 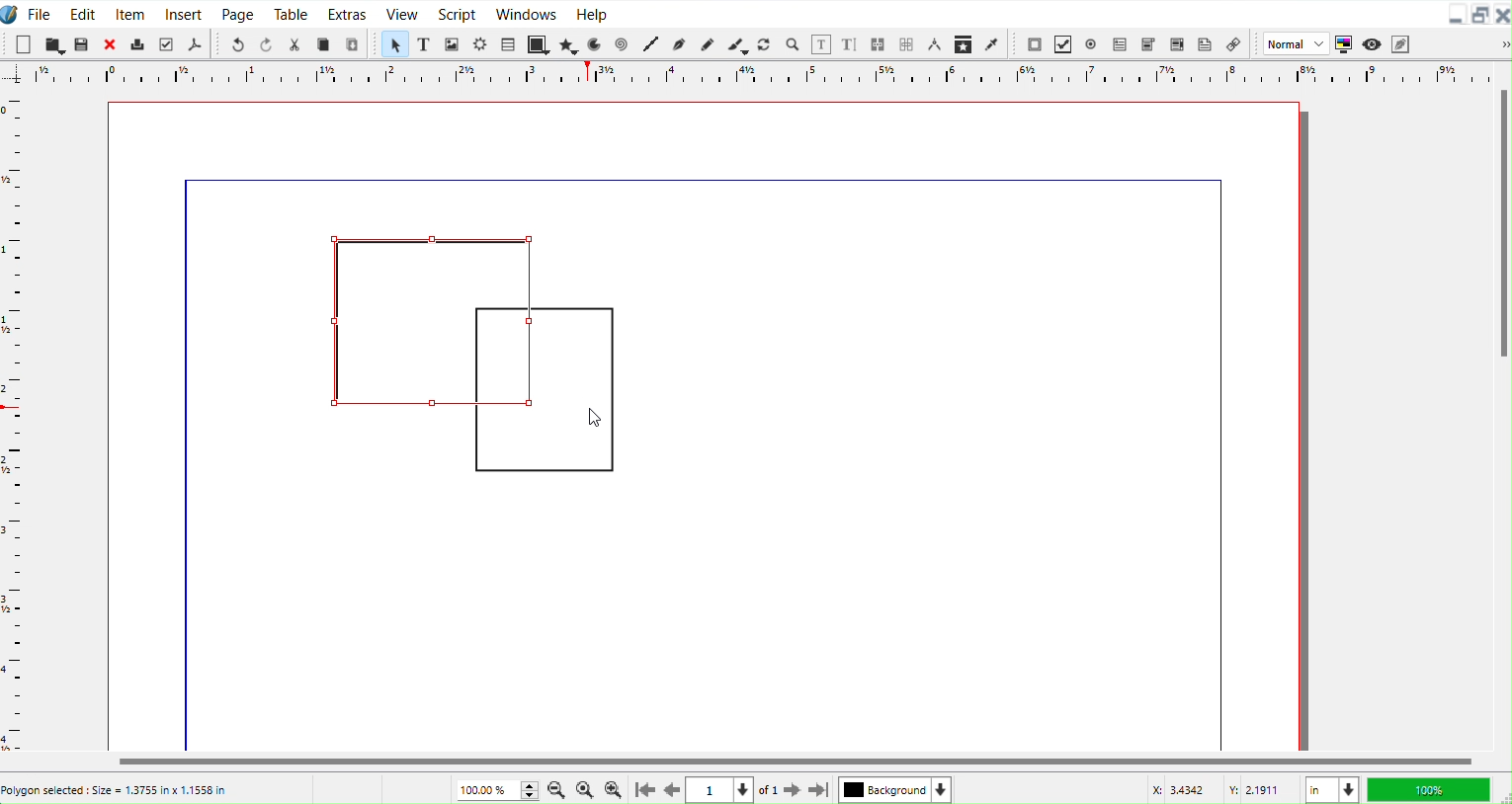 I want to click on Y Co-ordinate, so click(x=1260, y=791).